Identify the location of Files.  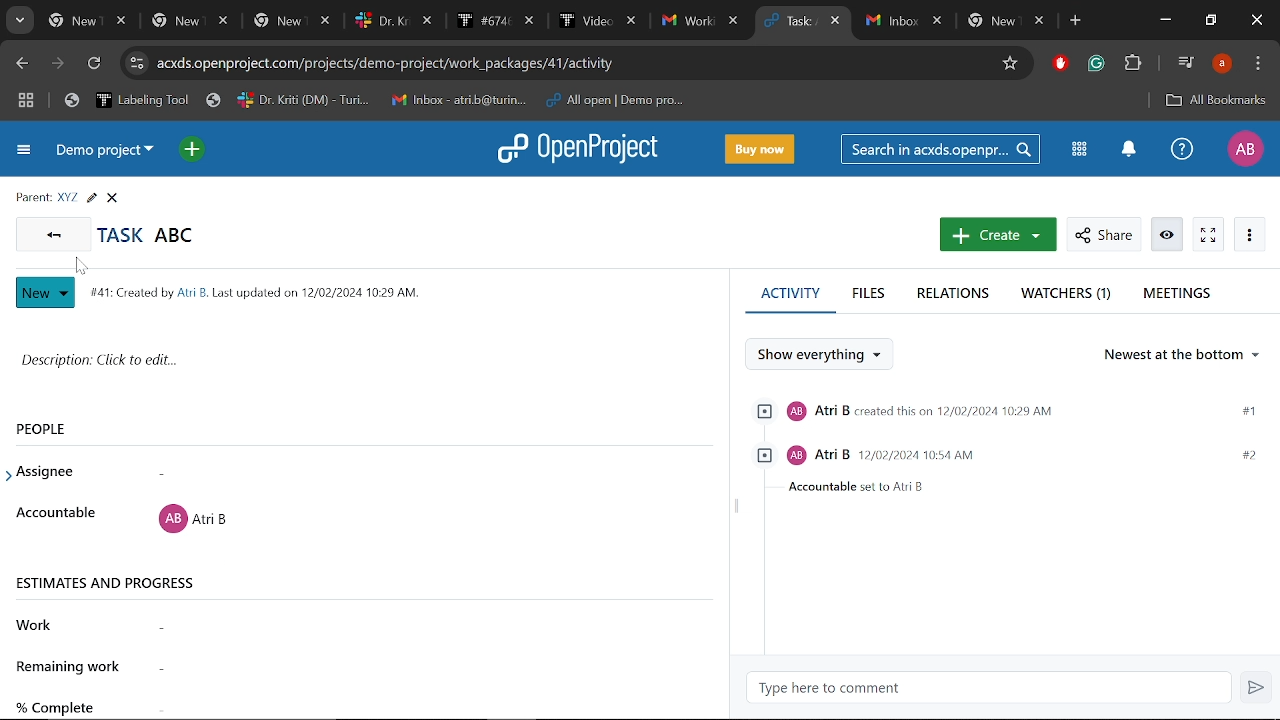
(869, 293).